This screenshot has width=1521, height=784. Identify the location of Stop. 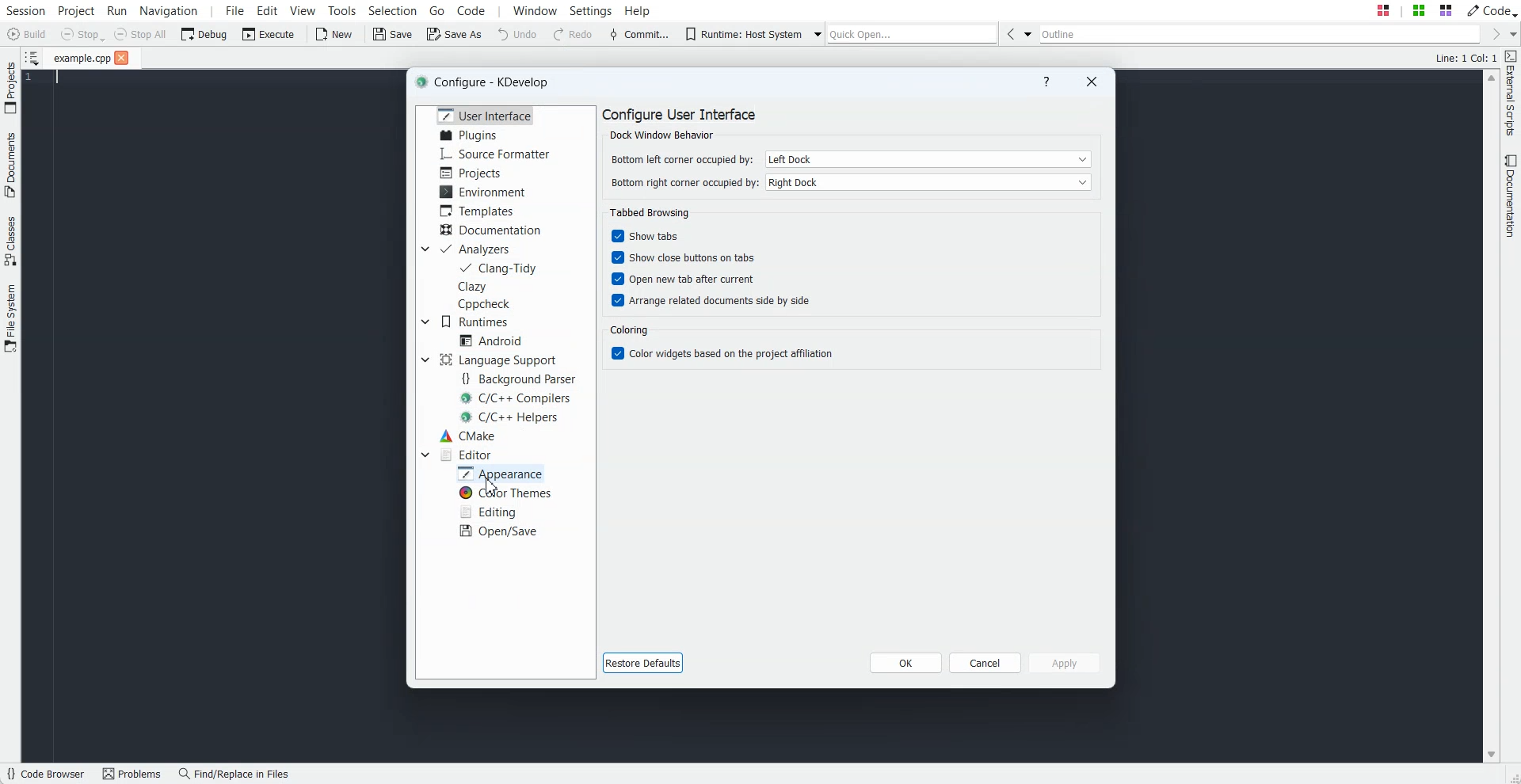
(82, 35).